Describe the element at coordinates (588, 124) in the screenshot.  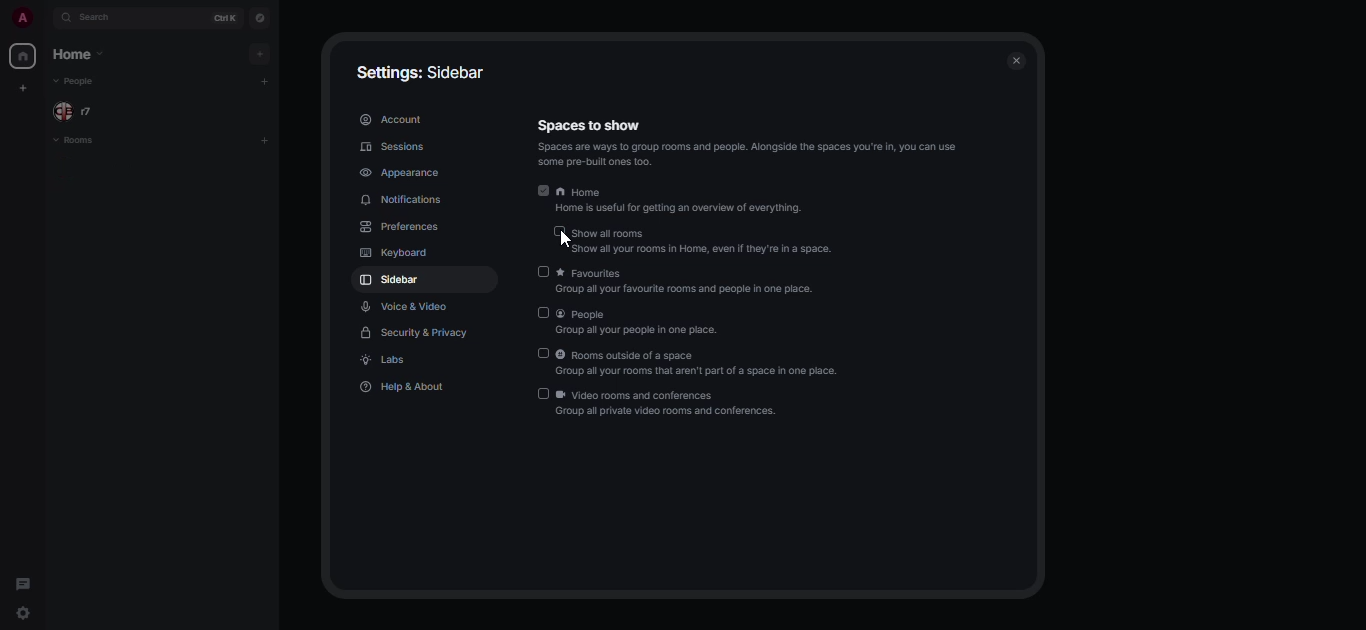
I see `spaces to show` at that location.